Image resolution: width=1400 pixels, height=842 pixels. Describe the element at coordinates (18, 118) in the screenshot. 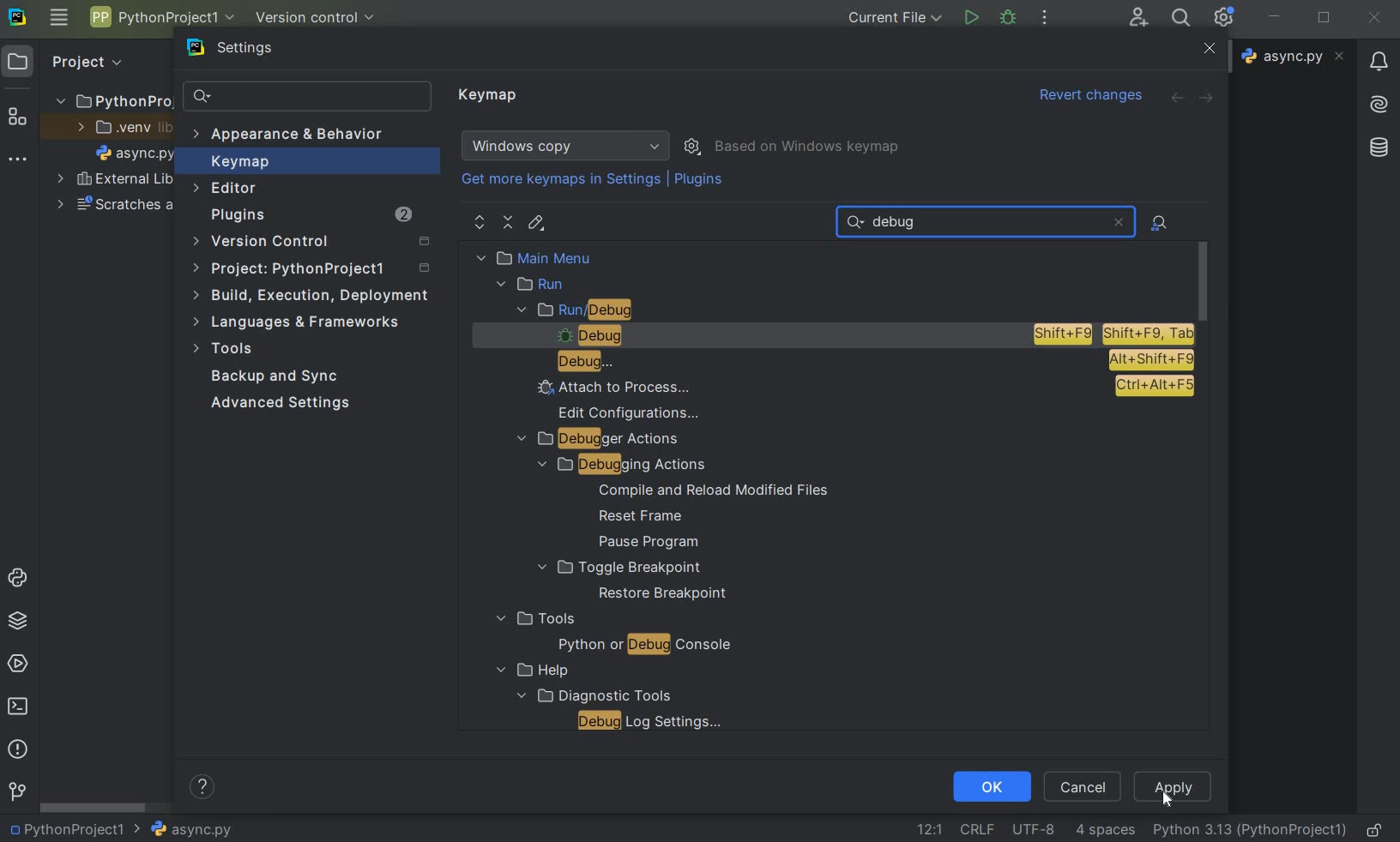

I see `structure` at that location.